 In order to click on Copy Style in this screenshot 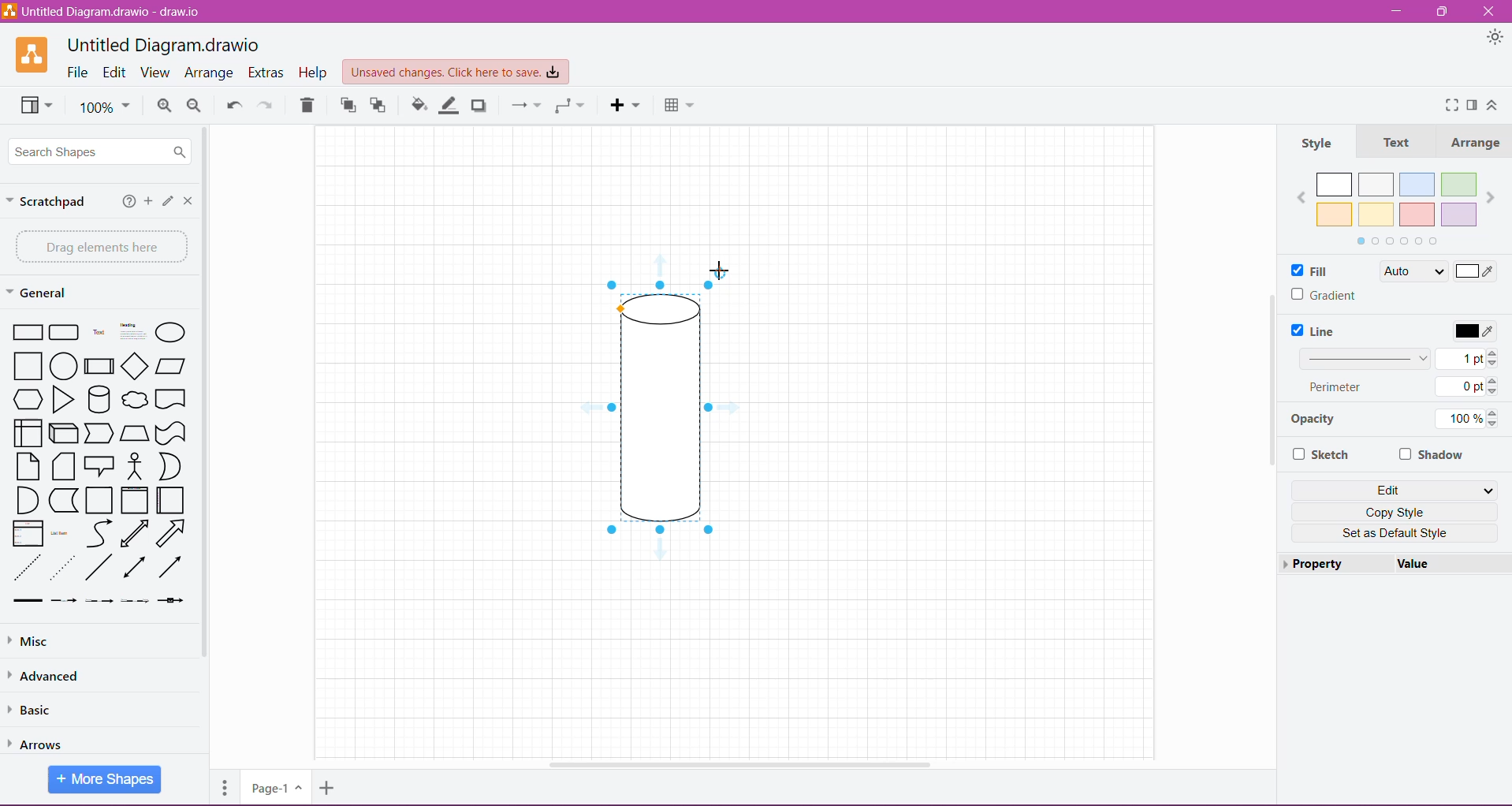, I will do `click(1398, 511)`.